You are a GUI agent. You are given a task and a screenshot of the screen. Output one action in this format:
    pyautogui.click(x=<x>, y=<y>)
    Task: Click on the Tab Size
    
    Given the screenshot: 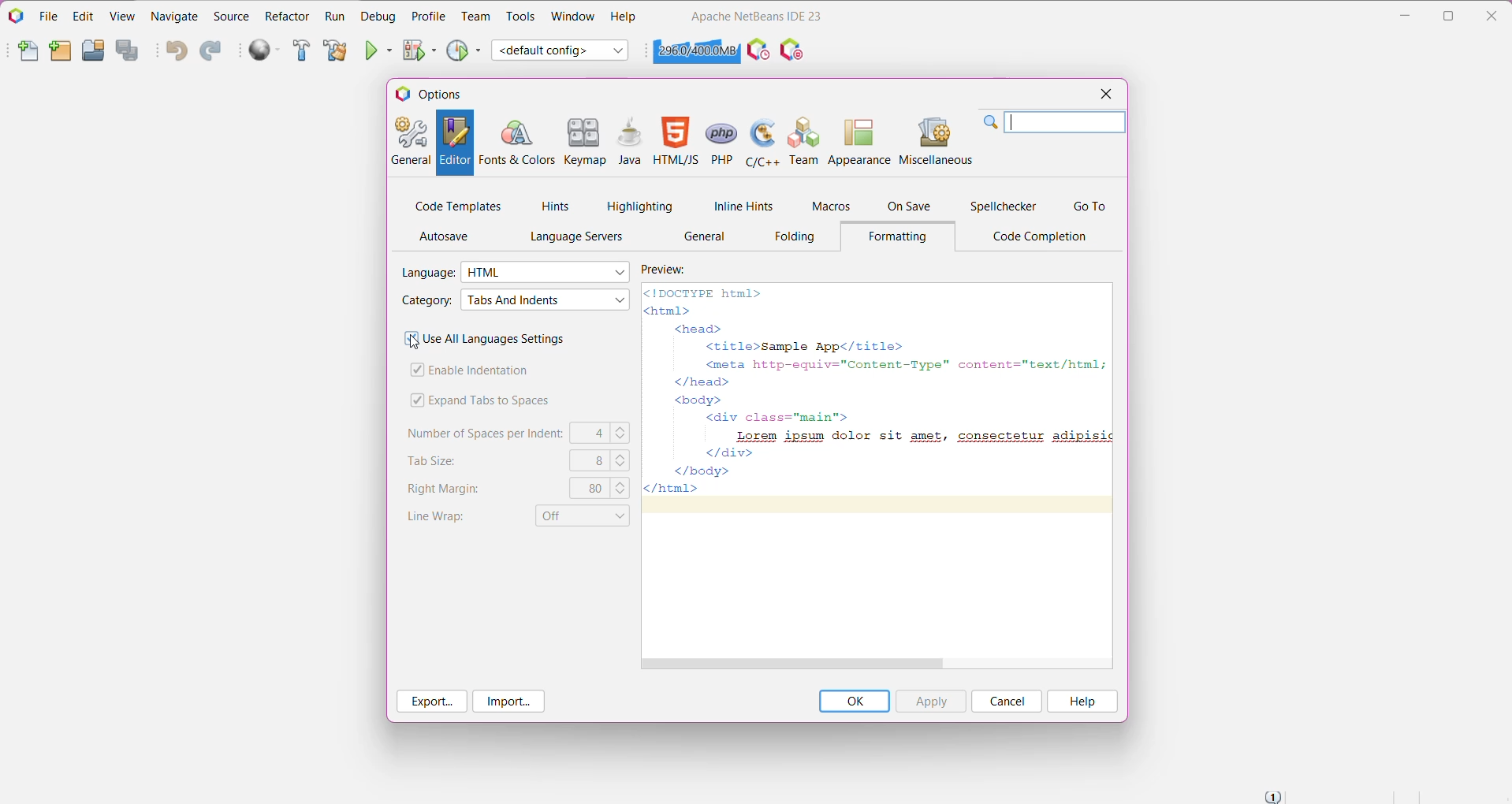 What is the action you would take?
    pyautogui.click(x=434, y=460)
    